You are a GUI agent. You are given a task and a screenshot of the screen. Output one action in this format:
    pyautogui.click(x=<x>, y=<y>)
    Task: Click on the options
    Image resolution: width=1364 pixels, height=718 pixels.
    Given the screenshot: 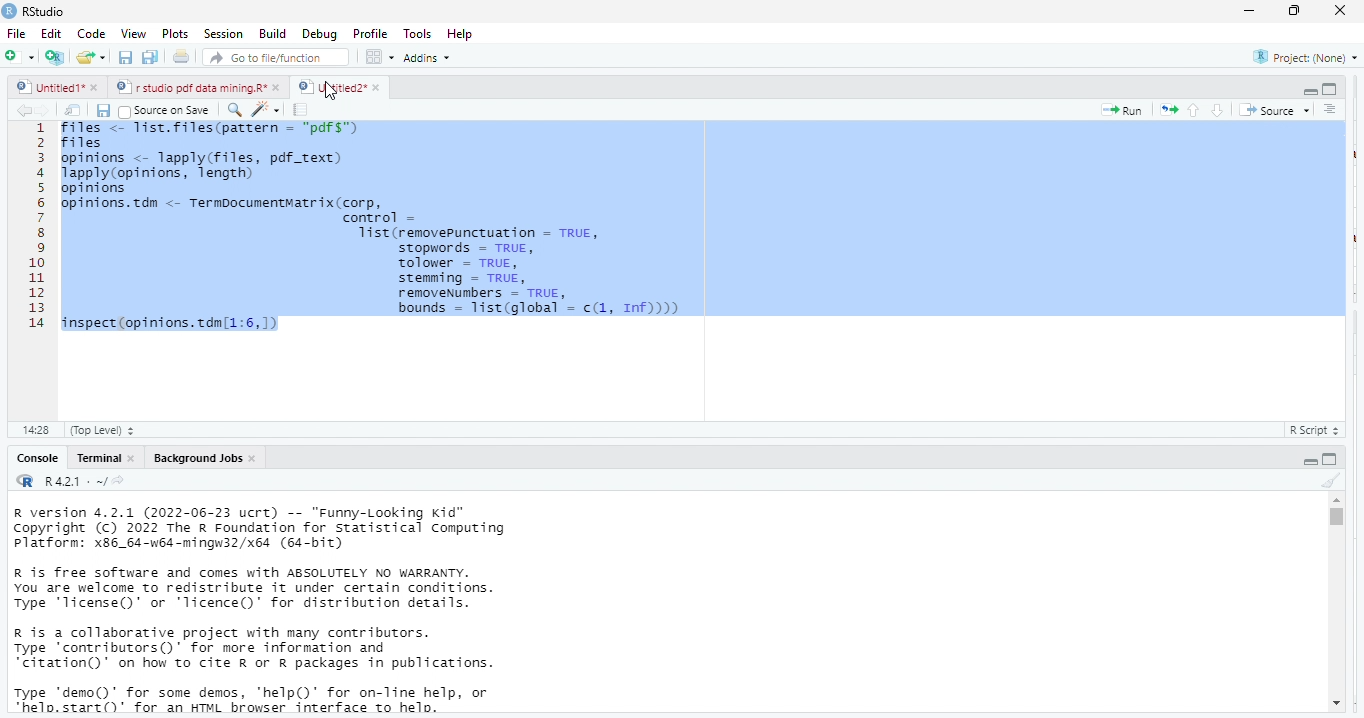 What is the action you would take?
    pyautogui.click(x=381, y=56)
    